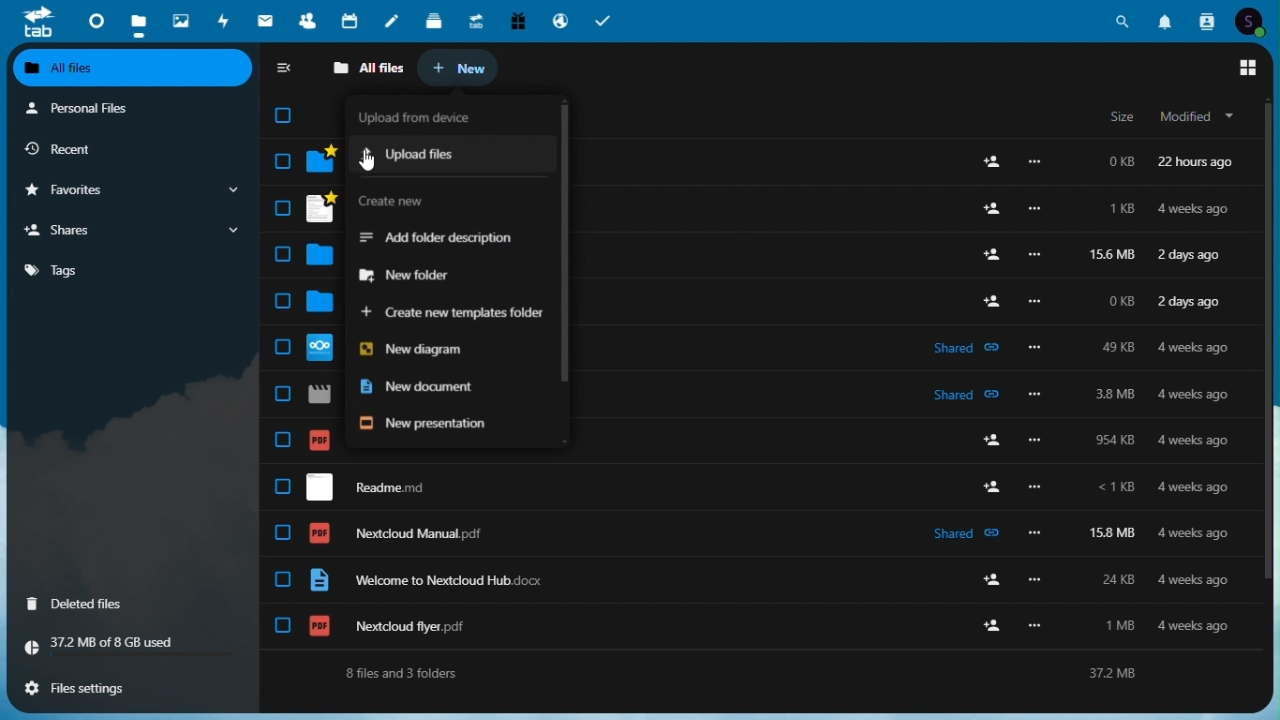 Image resolution: width=1280 pixels, height=720 pixels. I want to click on more options, so click(1043, 349).